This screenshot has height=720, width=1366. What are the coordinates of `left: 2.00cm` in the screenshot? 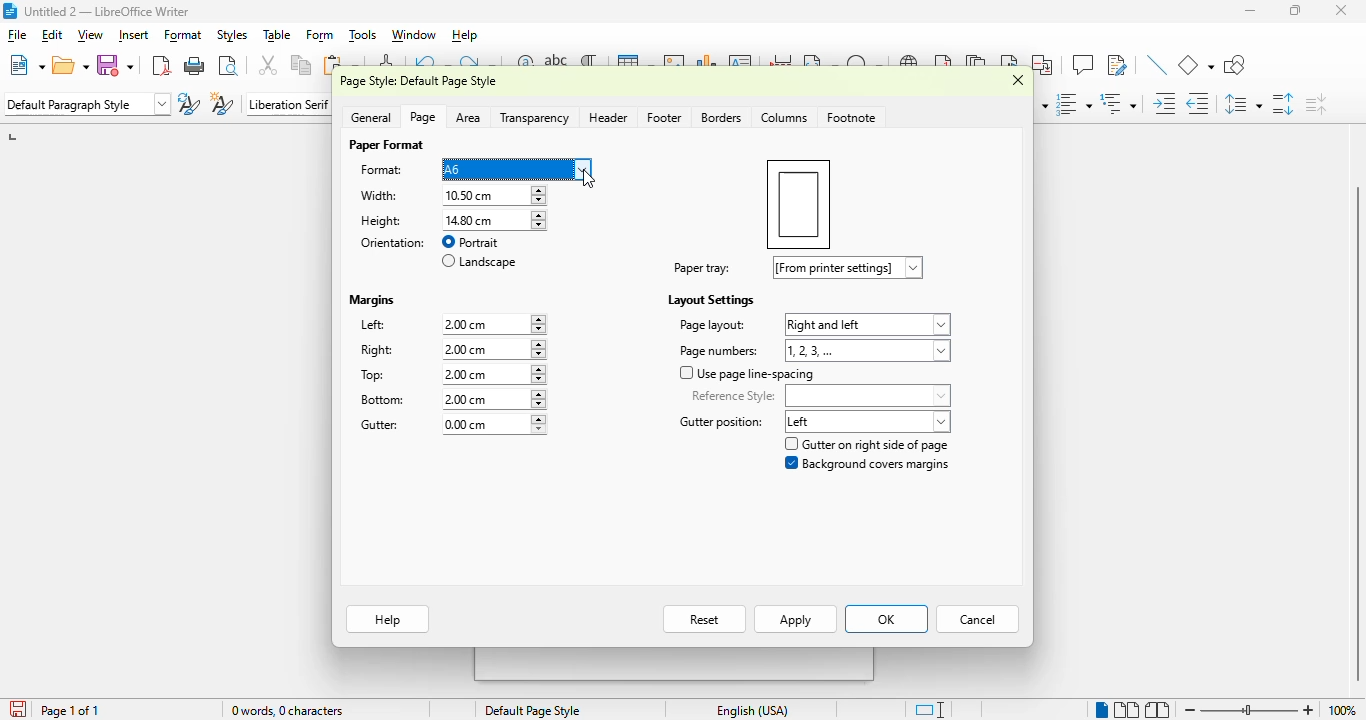 It's located at (448, 323).